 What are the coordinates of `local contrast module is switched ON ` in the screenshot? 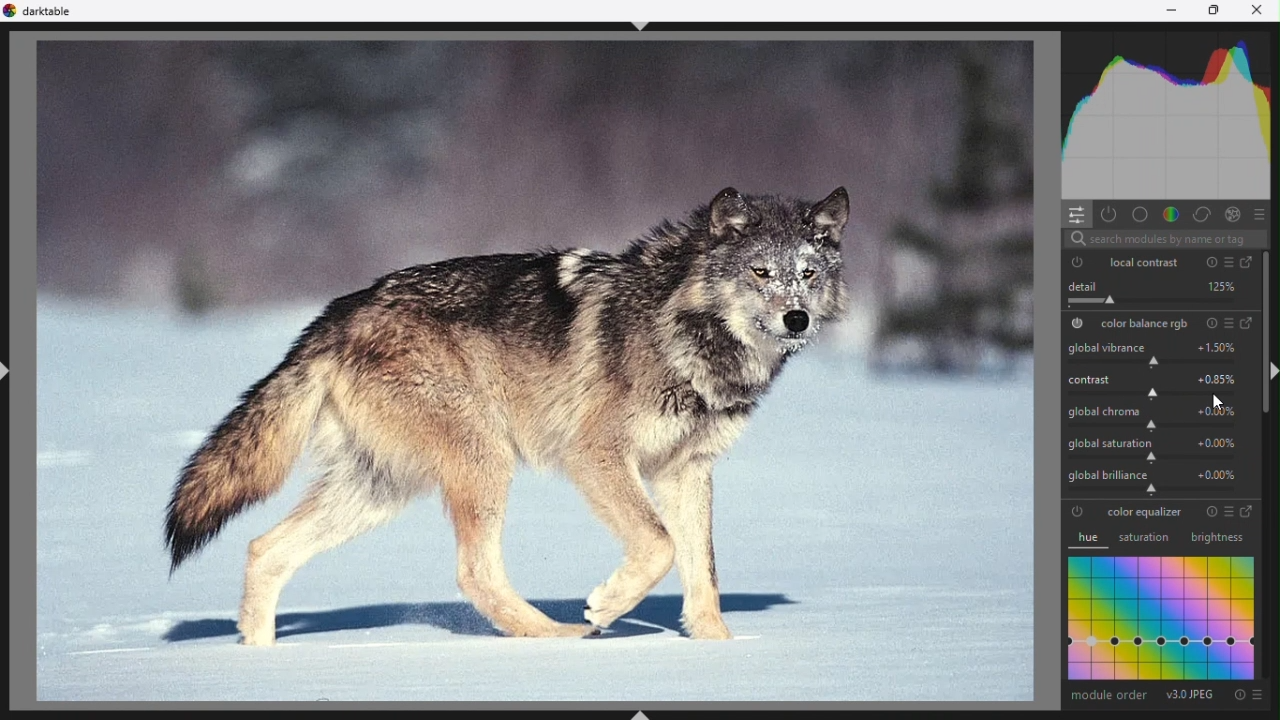 It's located at (1078, 262).